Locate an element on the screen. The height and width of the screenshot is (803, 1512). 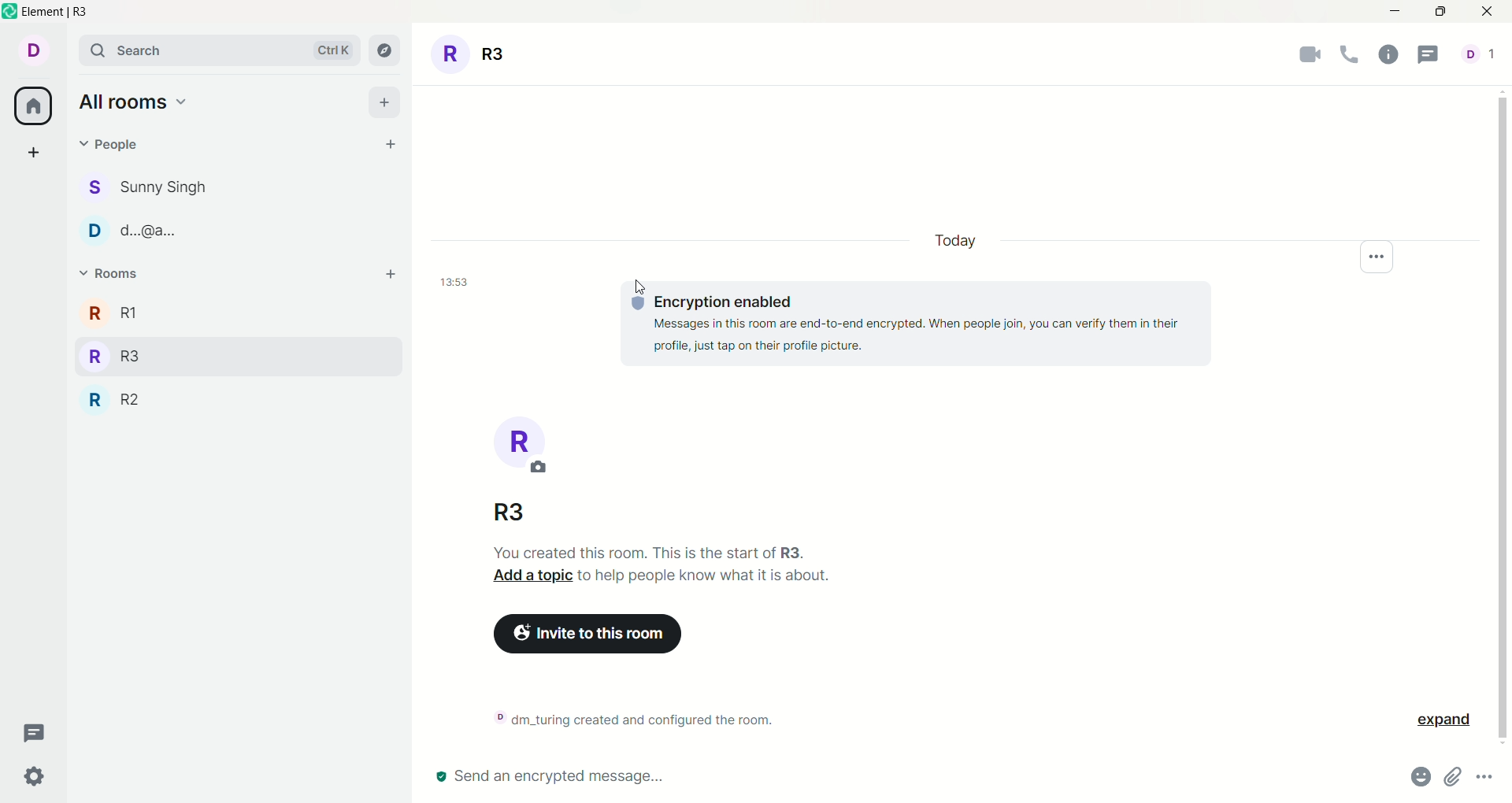
logo is located at coordinates (10, 13).